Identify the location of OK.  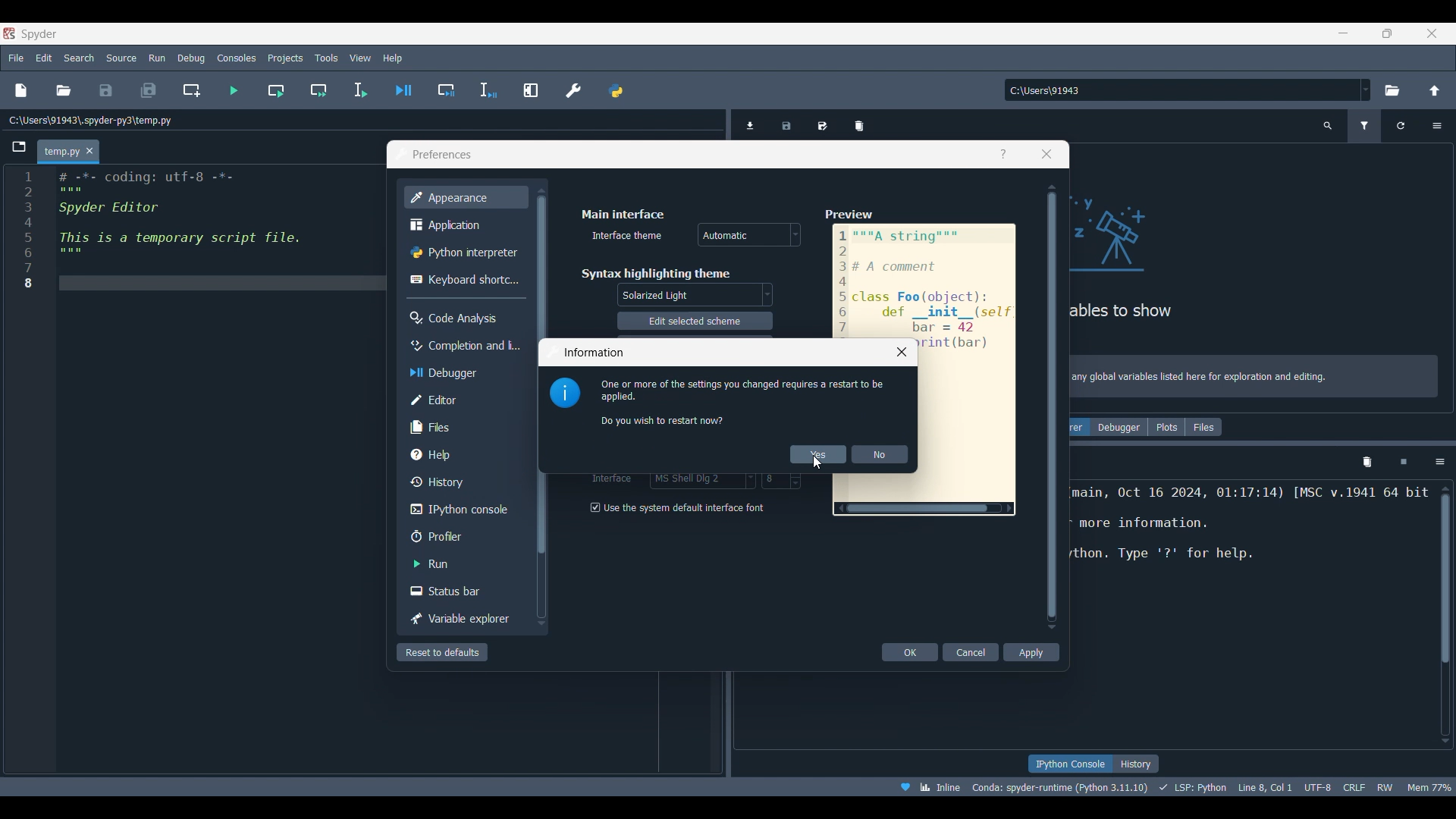
(909, 652).